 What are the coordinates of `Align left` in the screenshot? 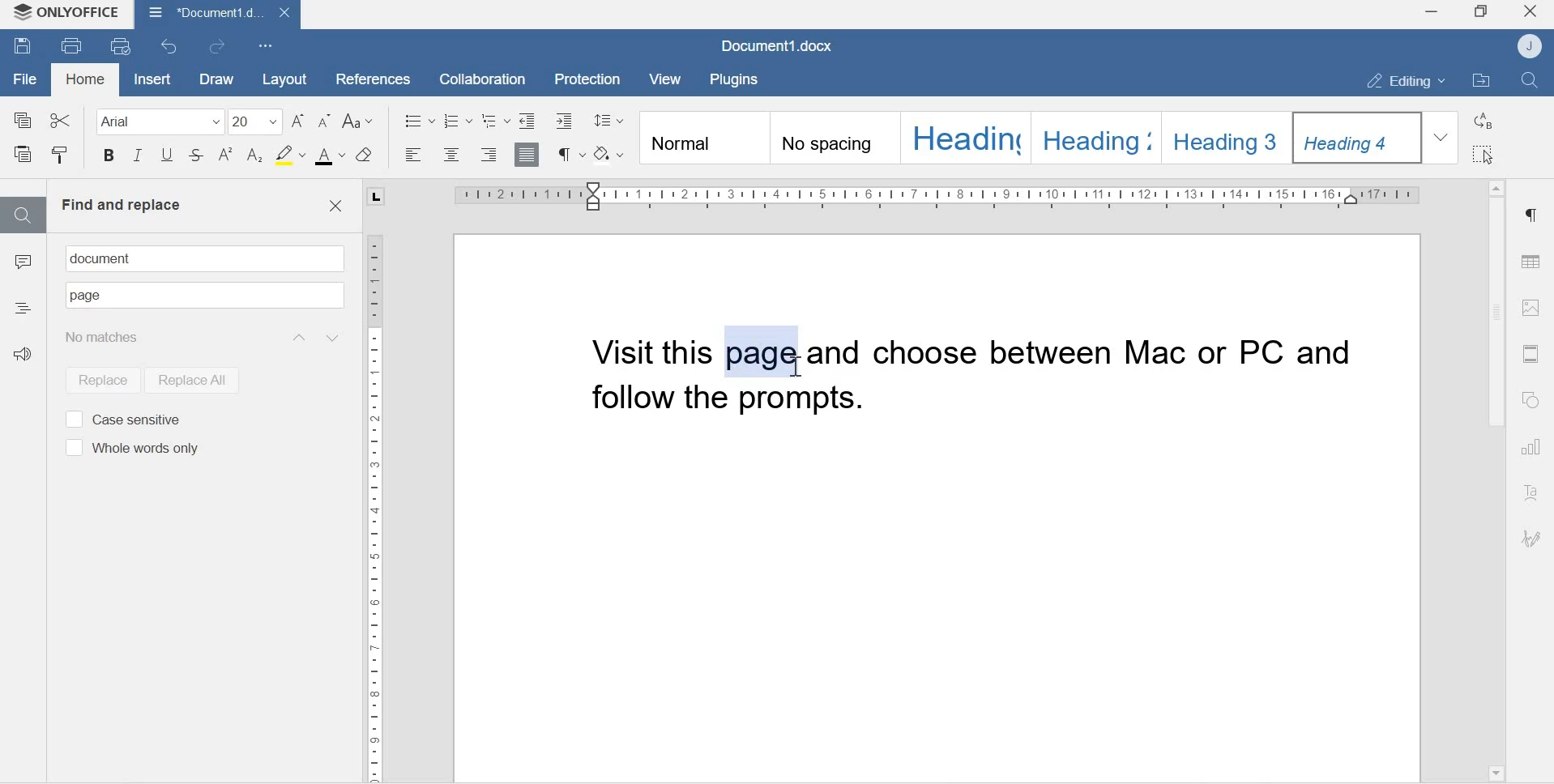 It's located at (414, 156).